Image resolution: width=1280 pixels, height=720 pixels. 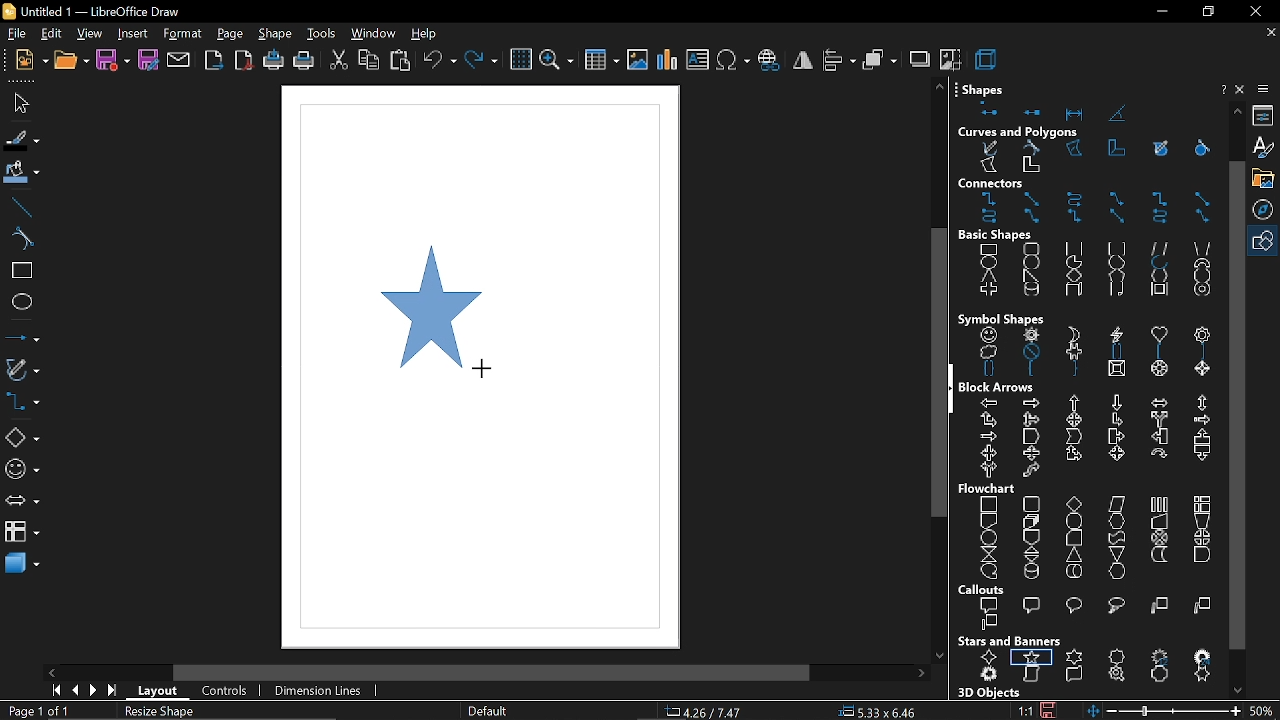 I want to click on move up, so click(x=940, y=88).